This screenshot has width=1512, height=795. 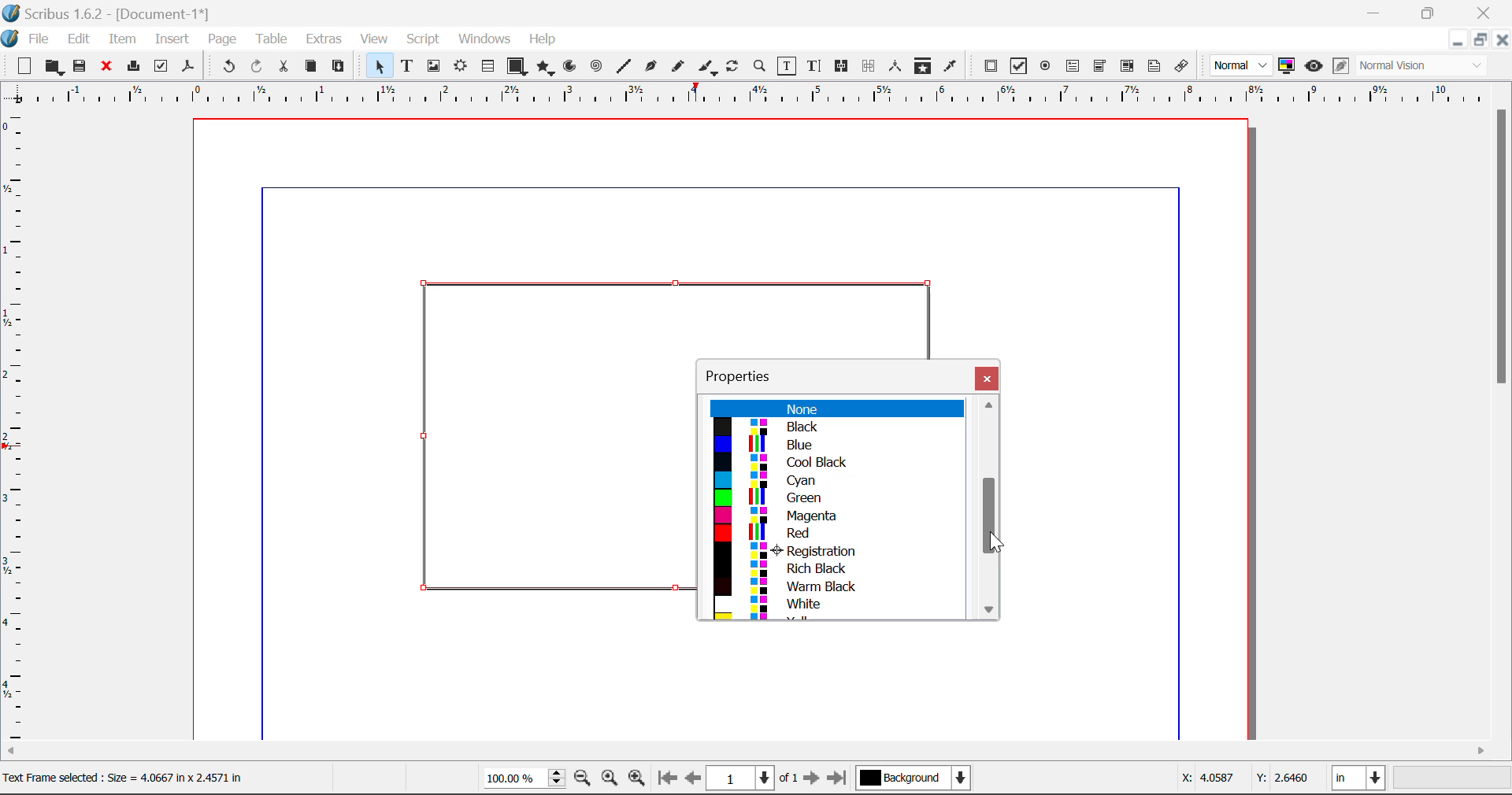 What do you see at coordinates (1073, 65) in the screenshot?
I see `Pdf Text Field` at bounding box center [1073, 65].